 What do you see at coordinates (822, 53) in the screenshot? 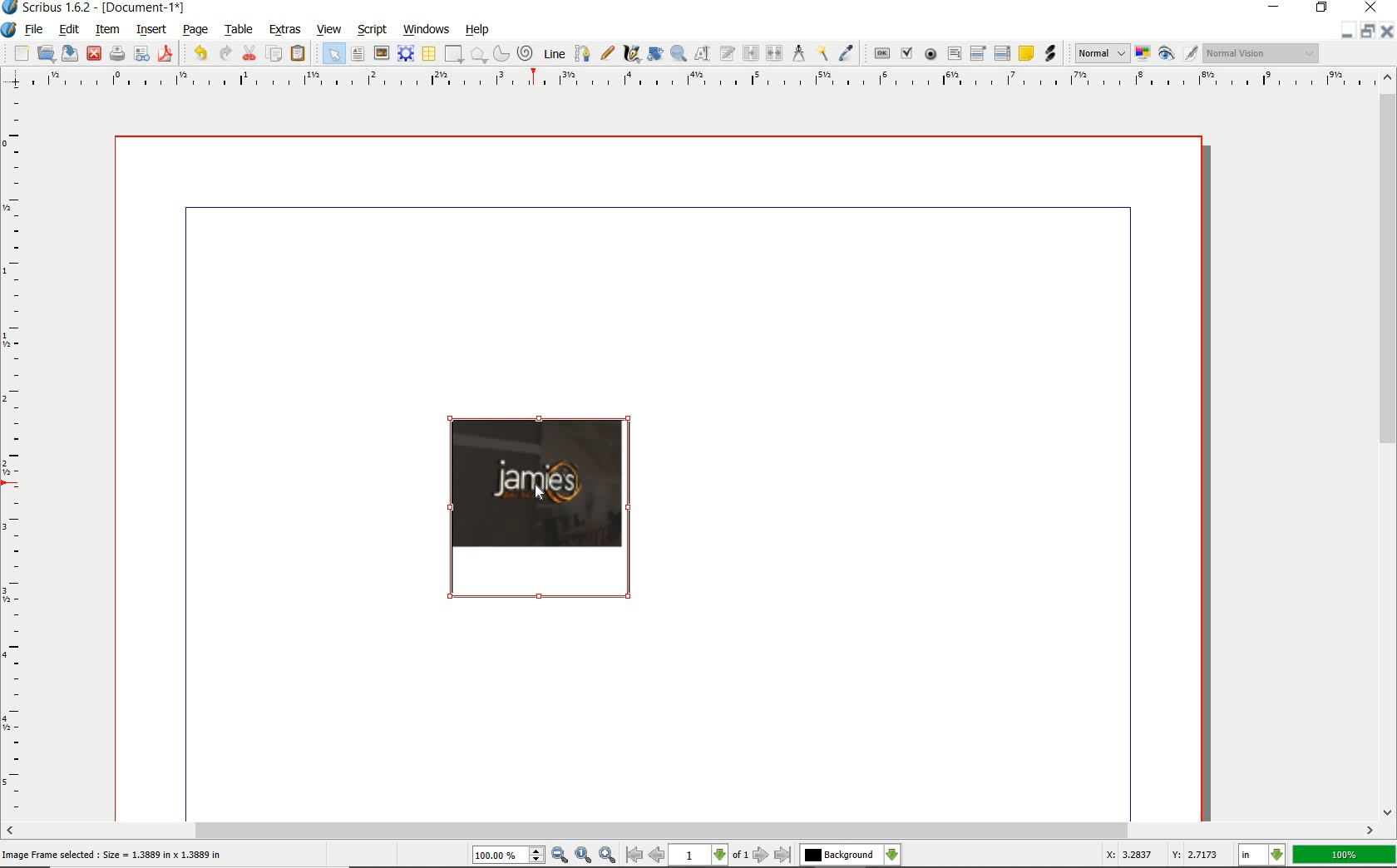
I see `copy item properties` at bounding box center [822, 53].